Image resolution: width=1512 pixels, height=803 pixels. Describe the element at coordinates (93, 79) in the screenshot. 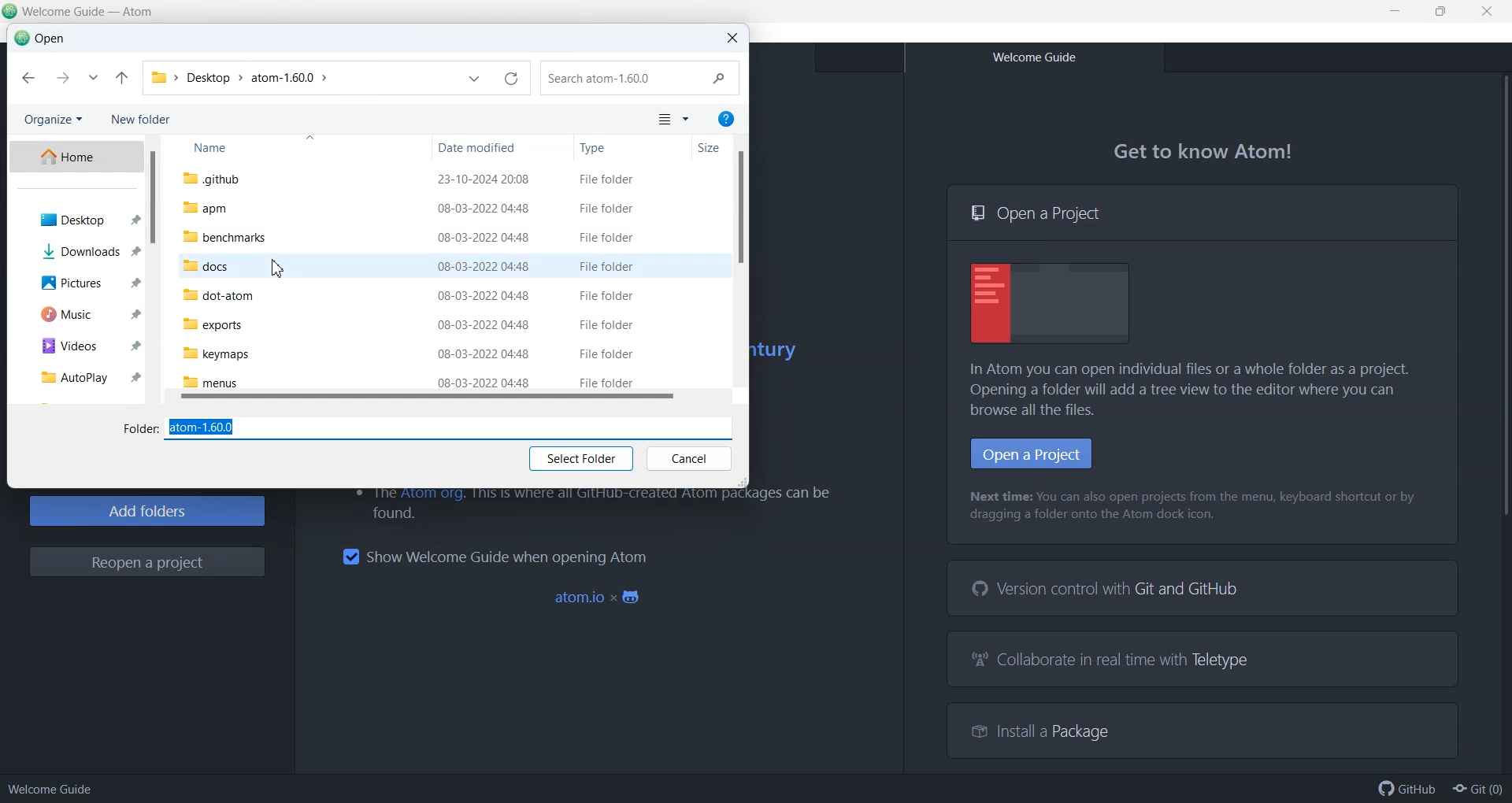

I see `Recent Location` at that location.